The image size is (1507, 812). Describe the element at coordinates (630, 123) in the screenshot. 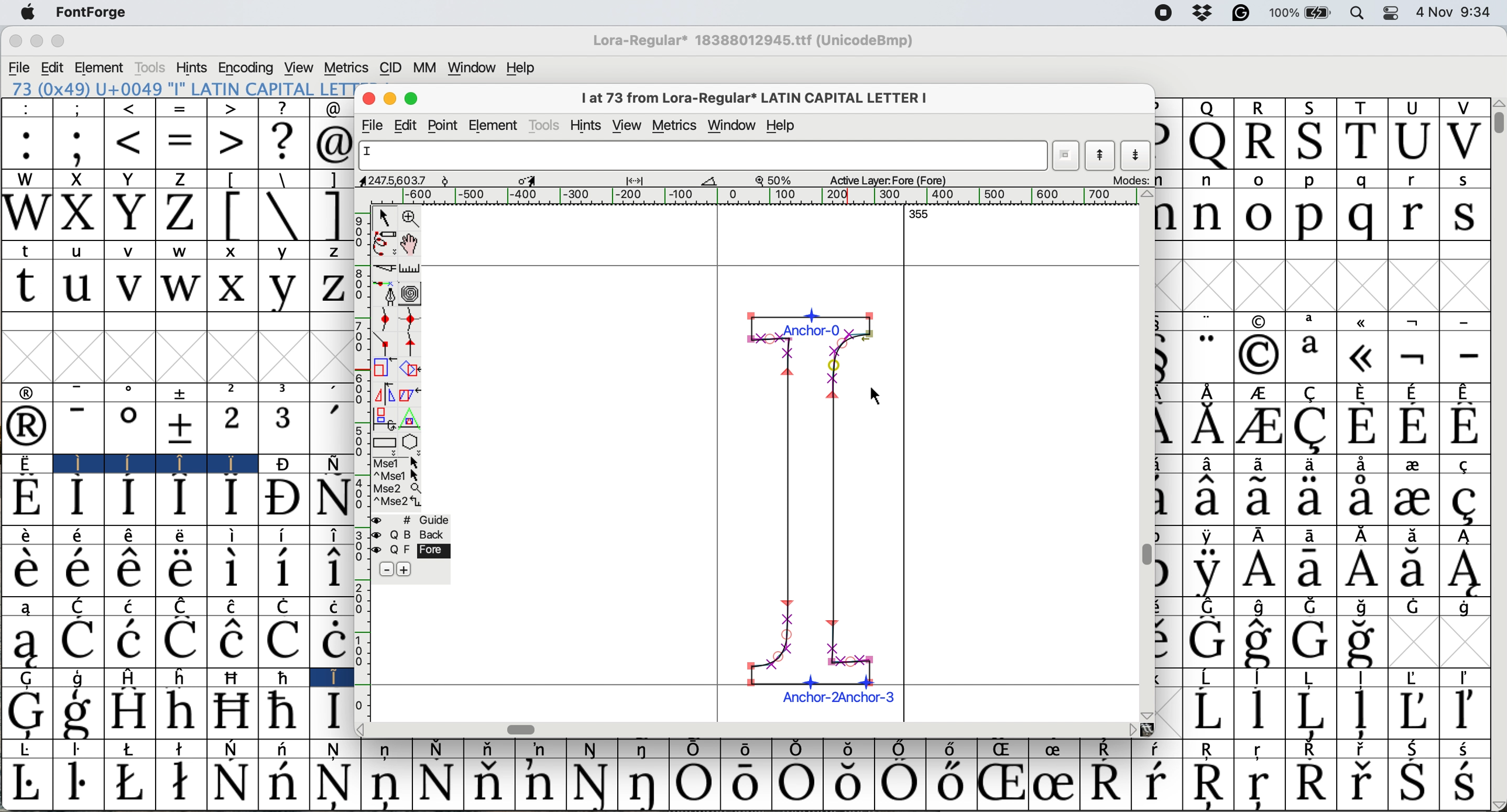

I see `view` at that location.